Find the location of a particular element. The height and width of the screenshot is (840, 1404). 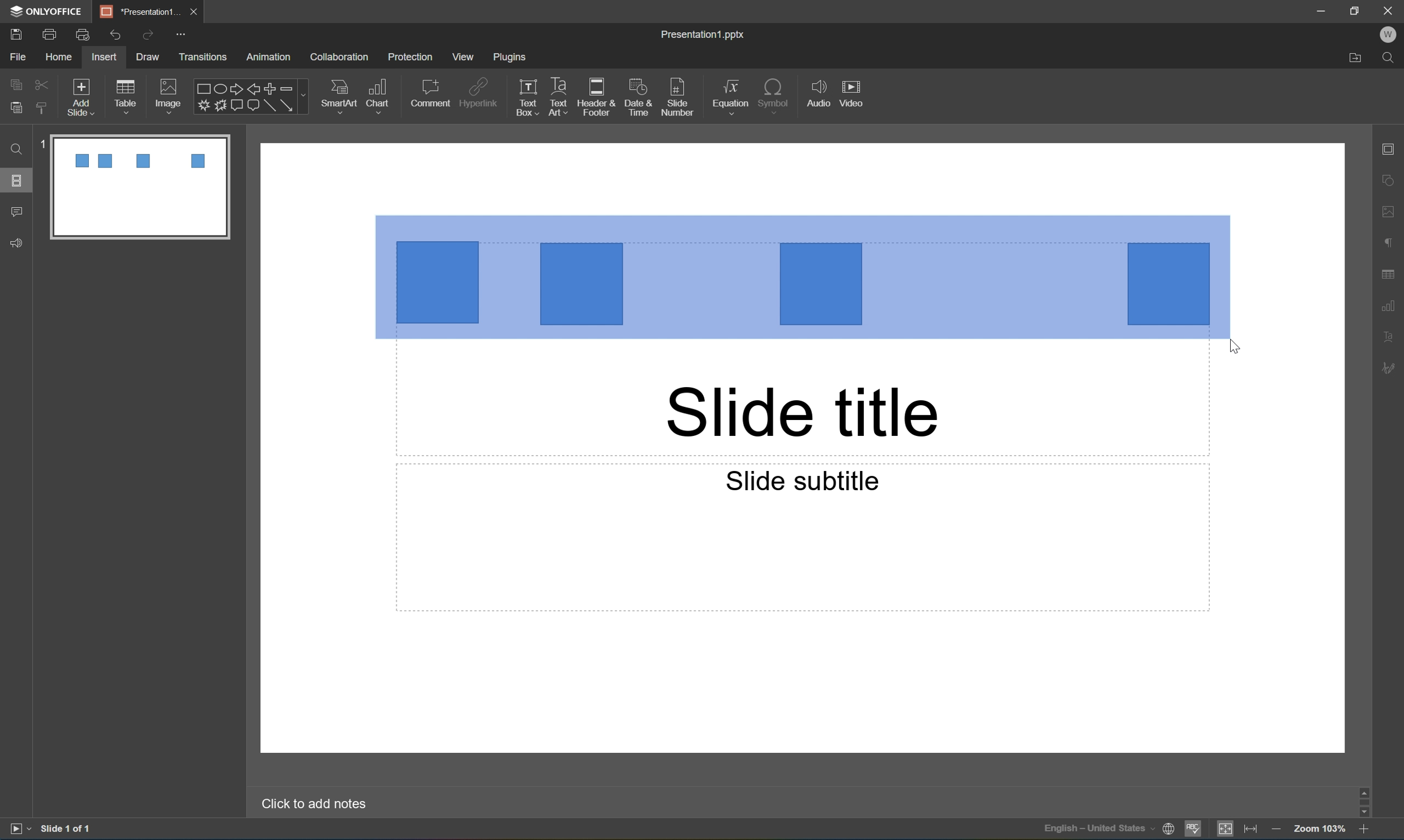

table settings is located at coordinates (1389, 272).